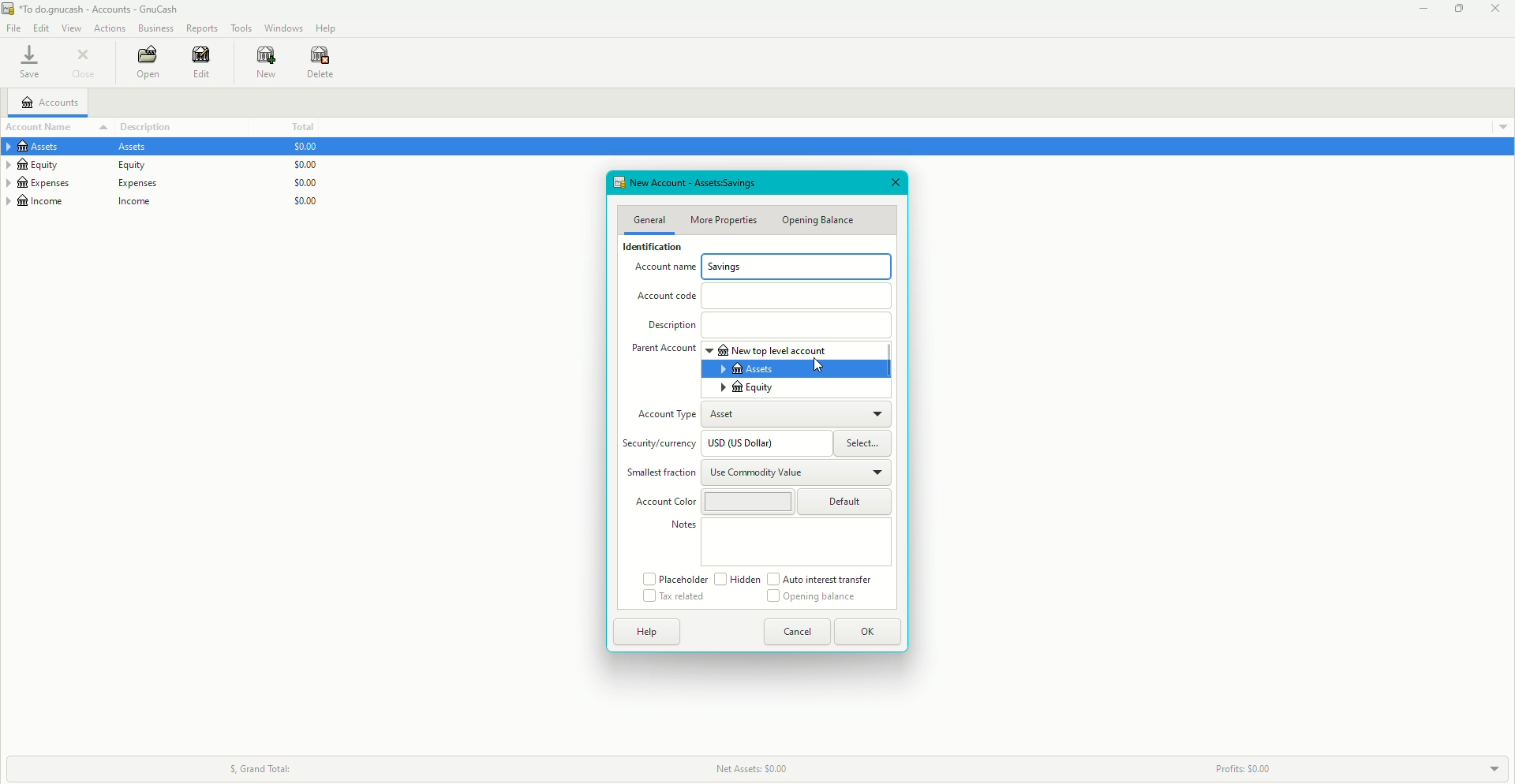  I want to click on Hidden, so click(736, 579).